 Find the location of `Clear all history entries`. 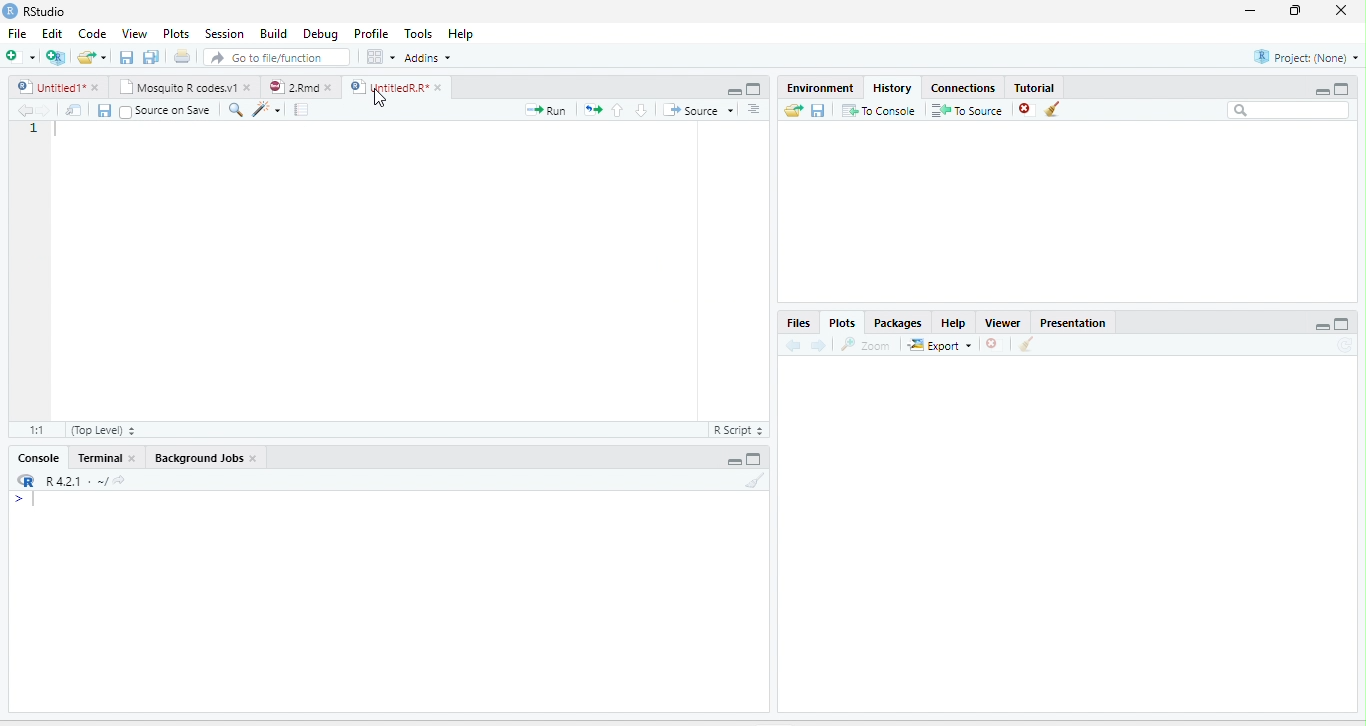

Clear all history entries is located at coordinates (1053, 109).